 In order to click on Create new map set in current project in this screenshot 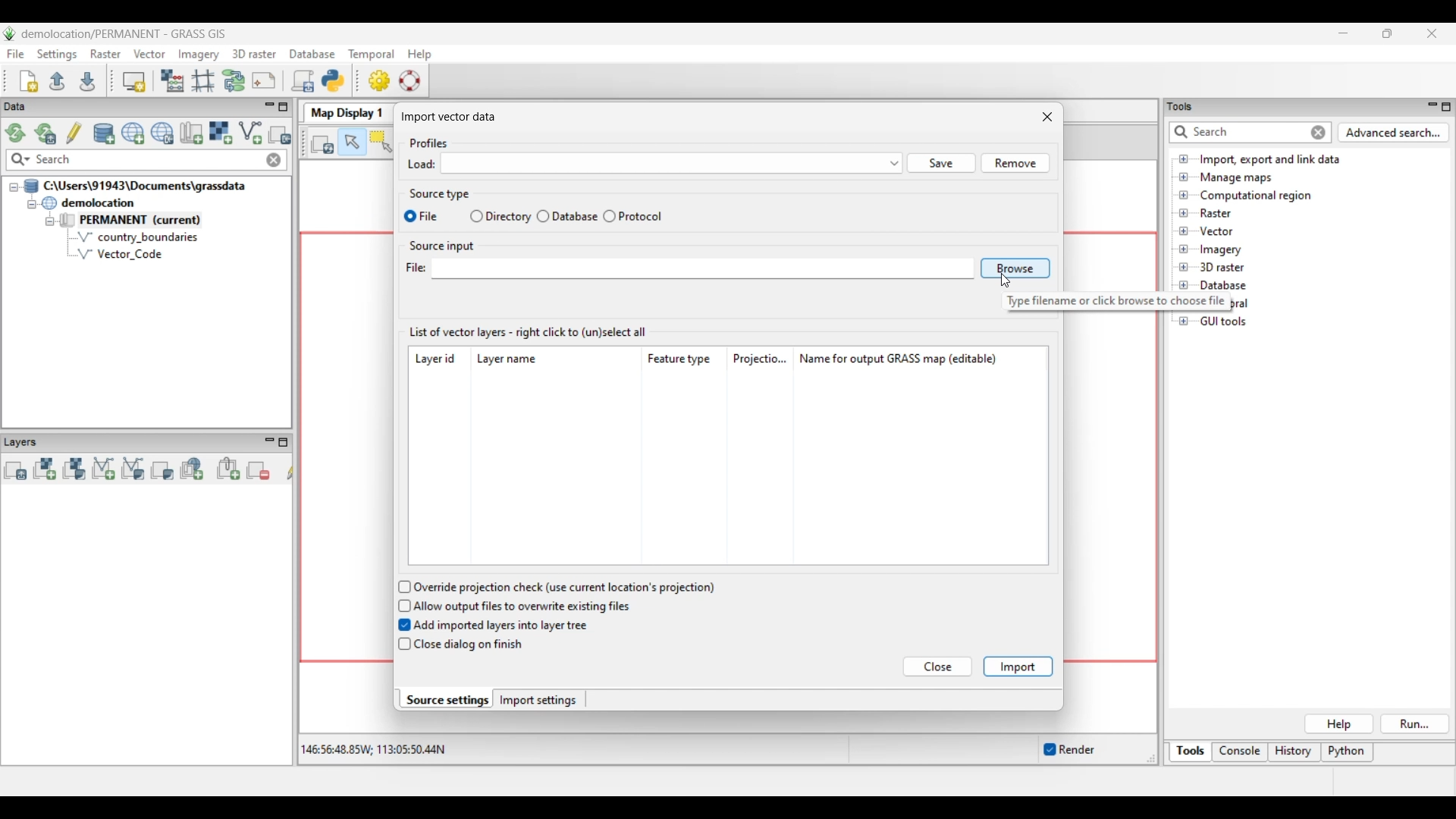, I will do `click(190, 133)`.